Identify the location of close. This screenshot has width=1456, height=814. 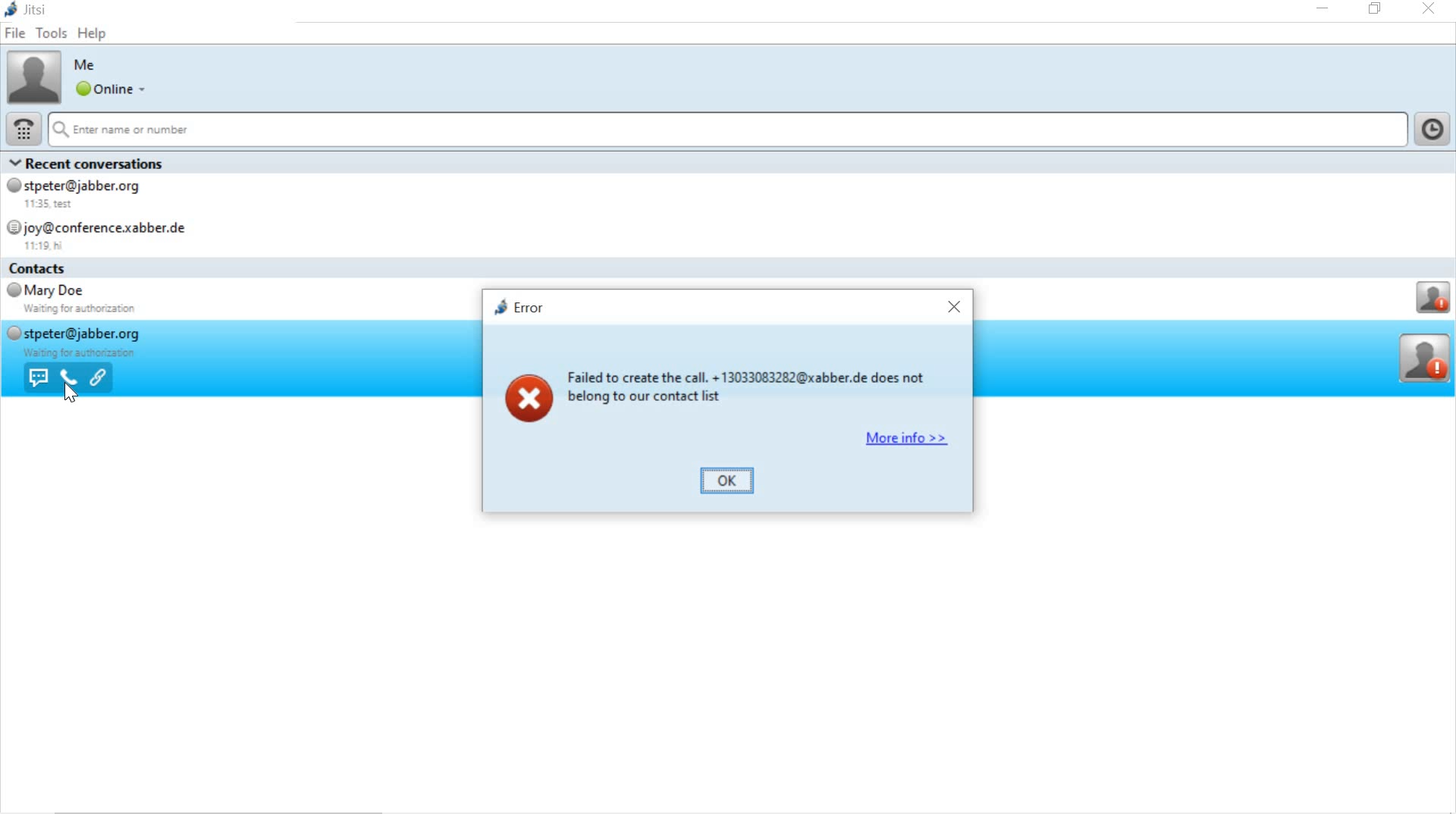
(950, 306).